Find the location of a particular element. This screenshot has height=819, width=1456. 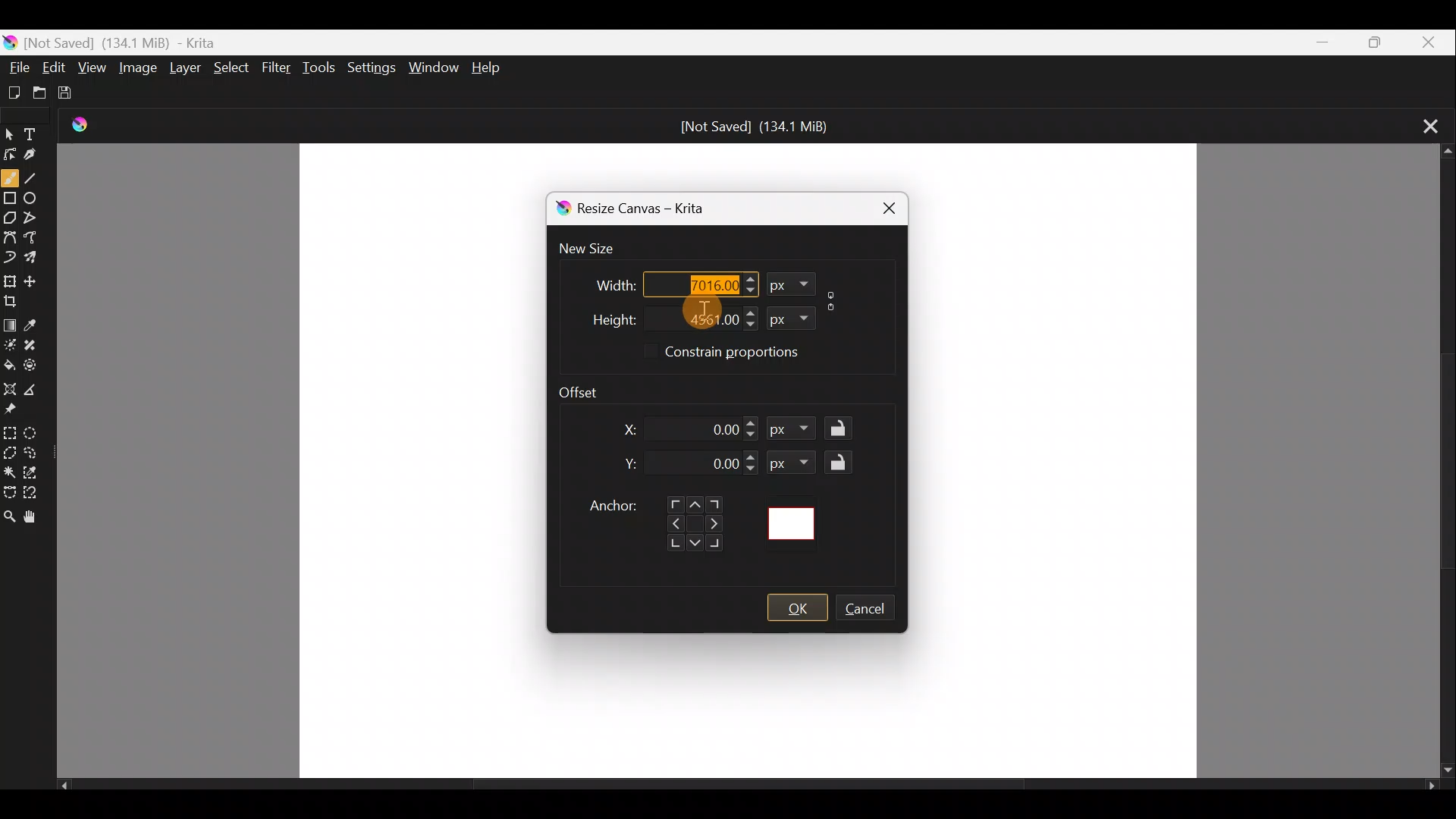

Format is located at coordinates (787, 316).